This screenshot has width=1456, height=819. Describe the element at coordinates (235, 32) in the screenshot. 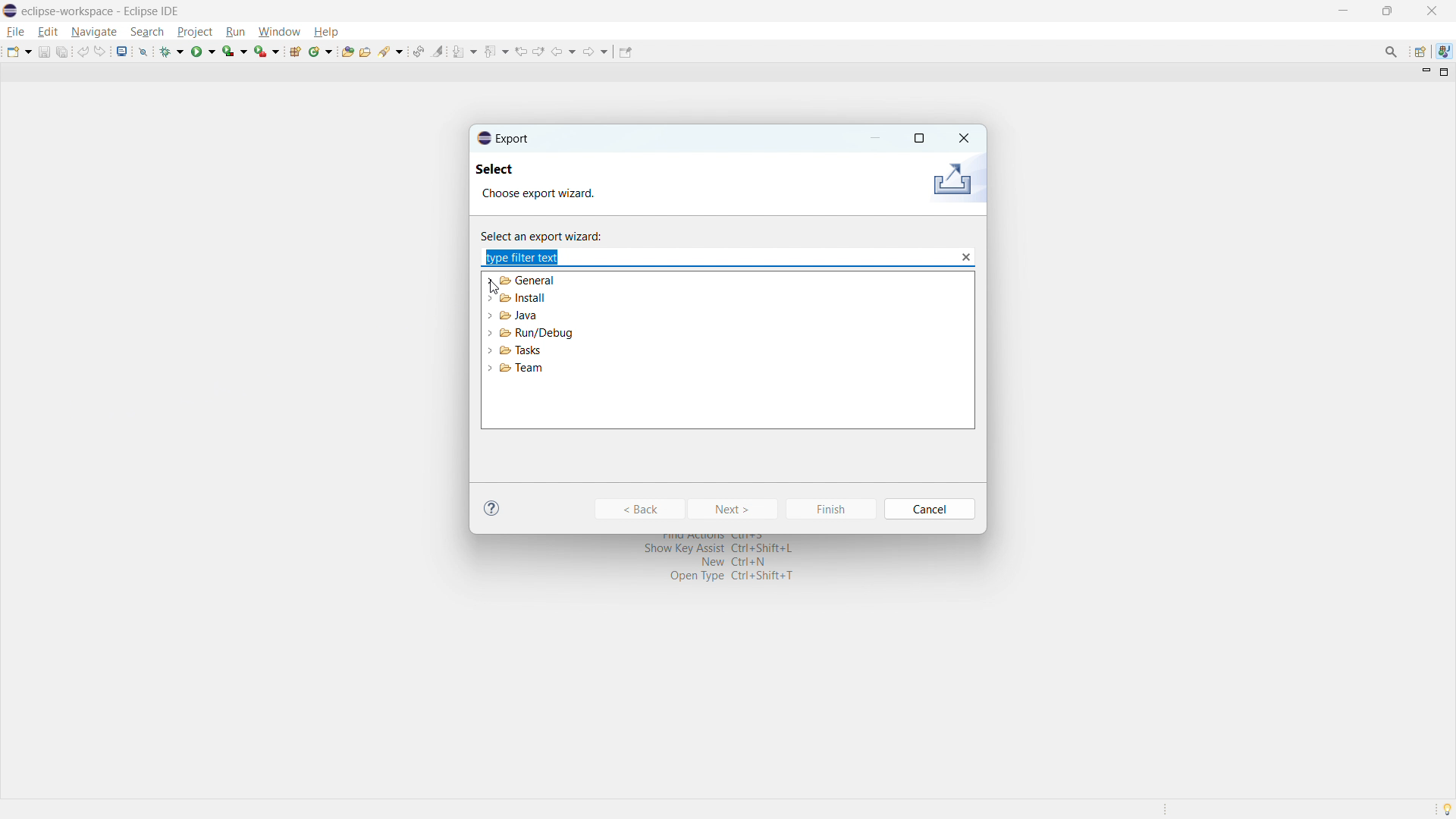

I see `run` at that location.